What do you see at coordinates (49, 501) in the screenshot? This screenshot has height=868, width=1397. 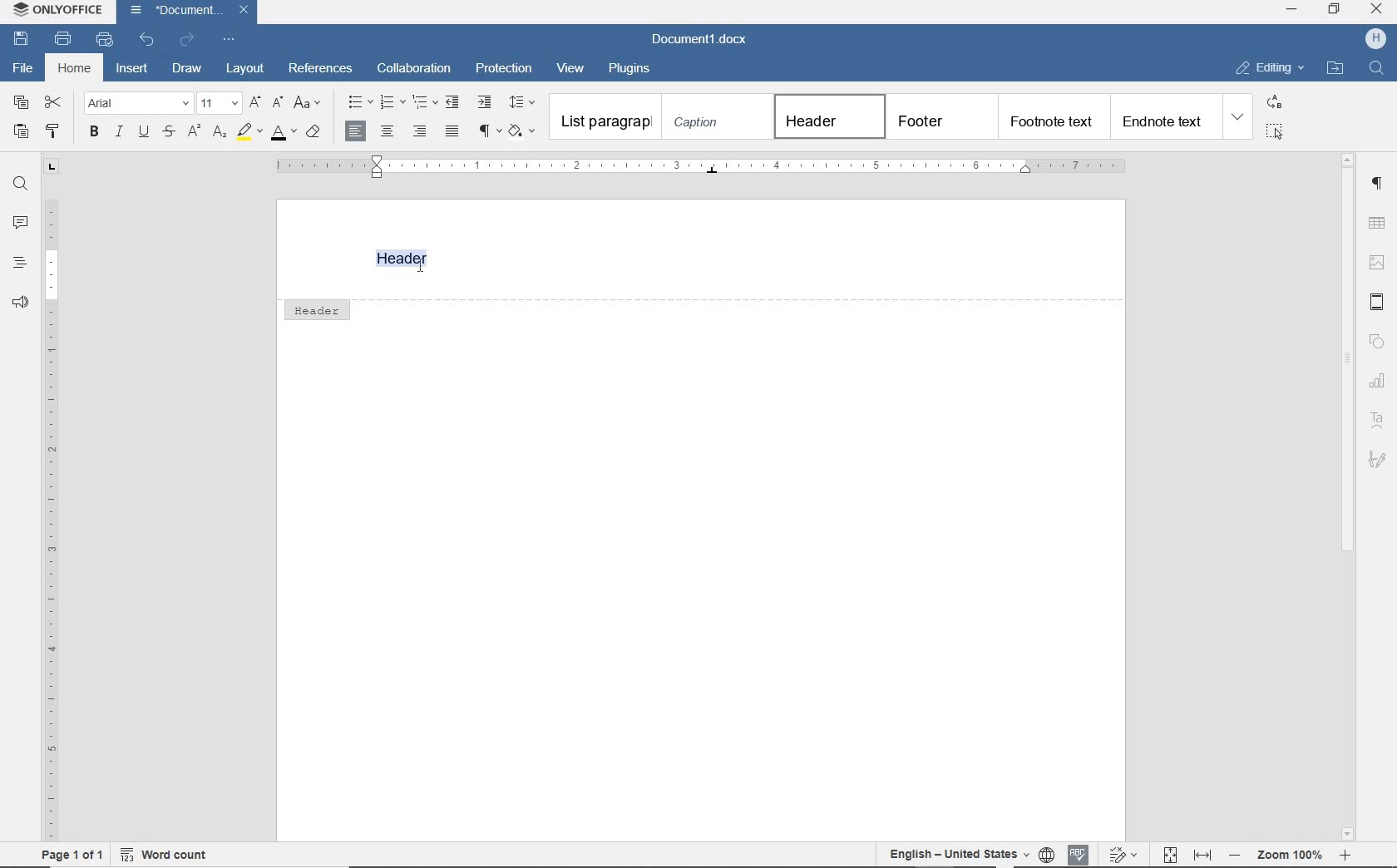 I see `ruler` at bounding box center [49, 501].